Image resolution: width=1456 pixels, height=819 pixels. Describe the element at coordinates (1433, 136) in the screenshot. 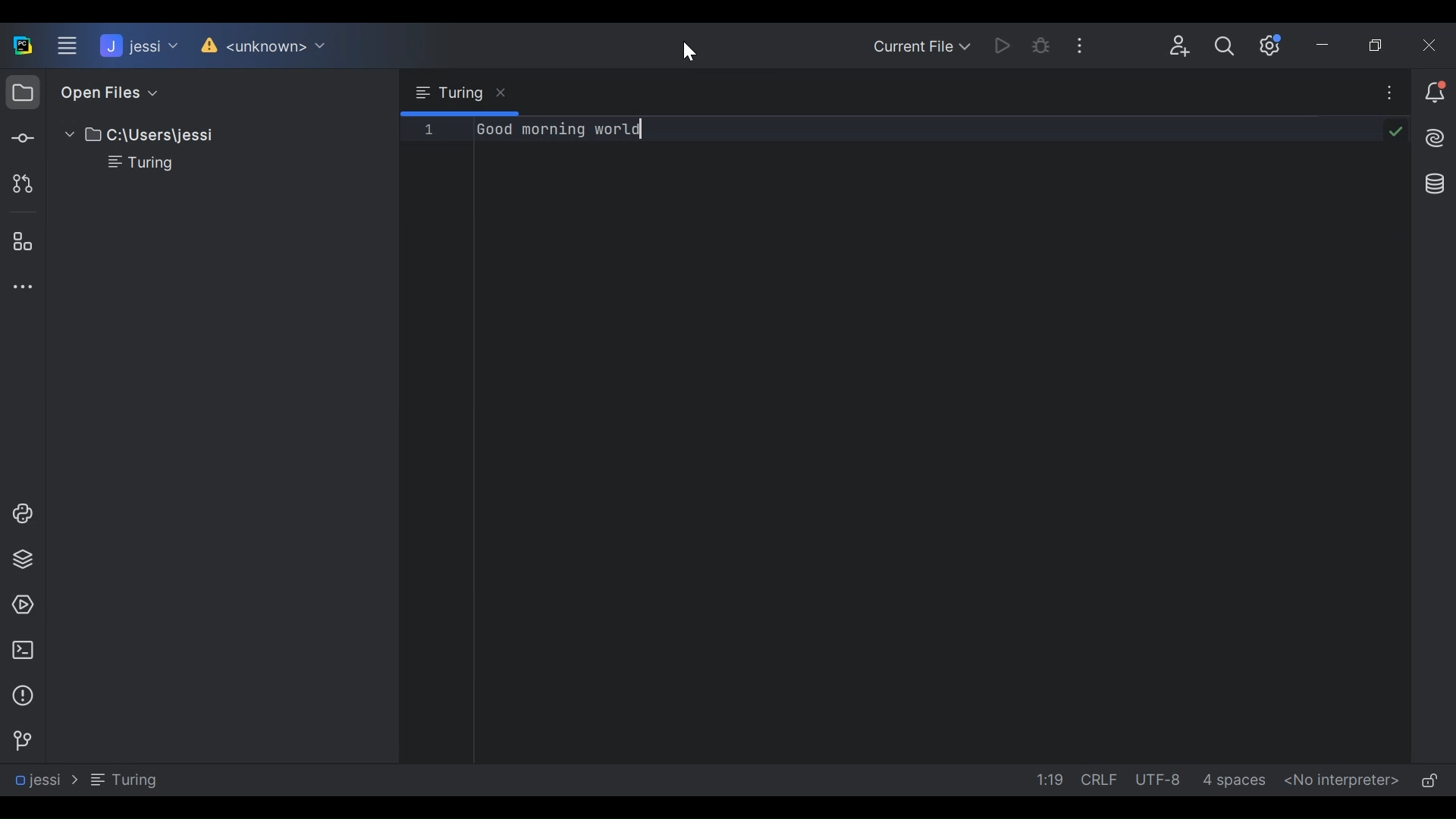

I see `AI Assistant` at that location.